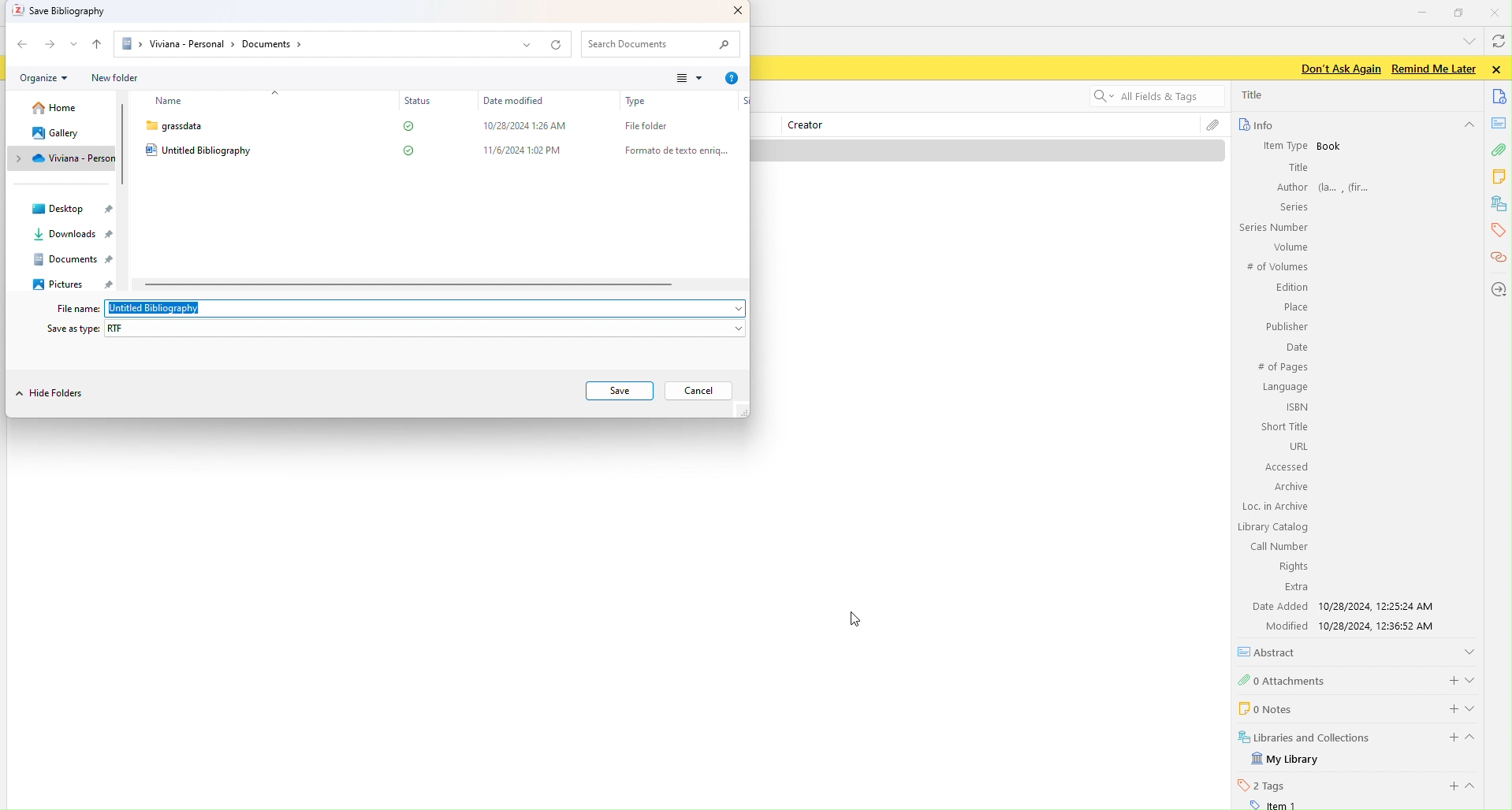  Describe the element at coordinates (73, 309) in the screenshot. I see `File Name` at that location.